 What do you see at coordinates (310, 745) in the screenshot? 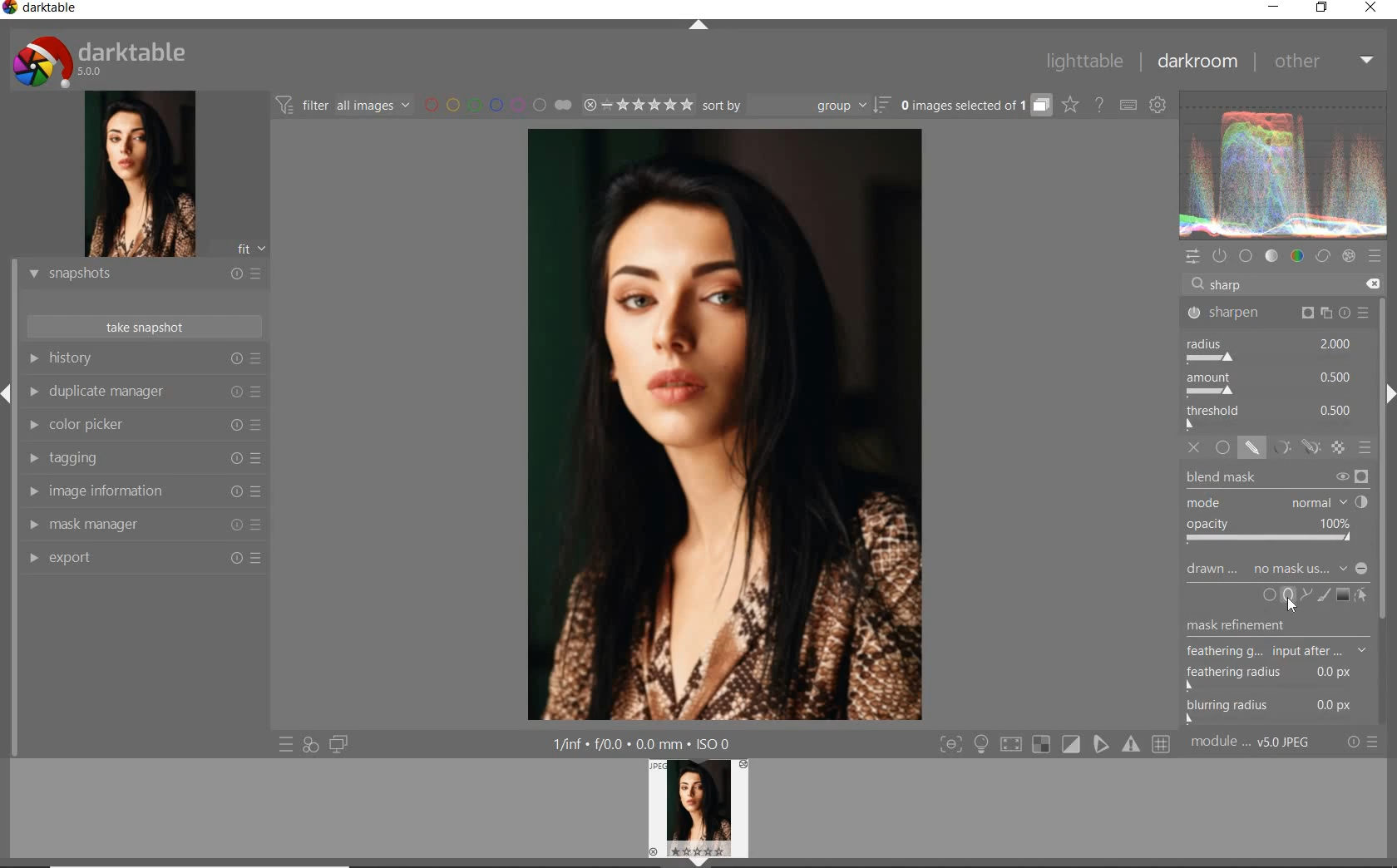
I see `quick access for applying any of your styles` at bounding box center [310, 745].